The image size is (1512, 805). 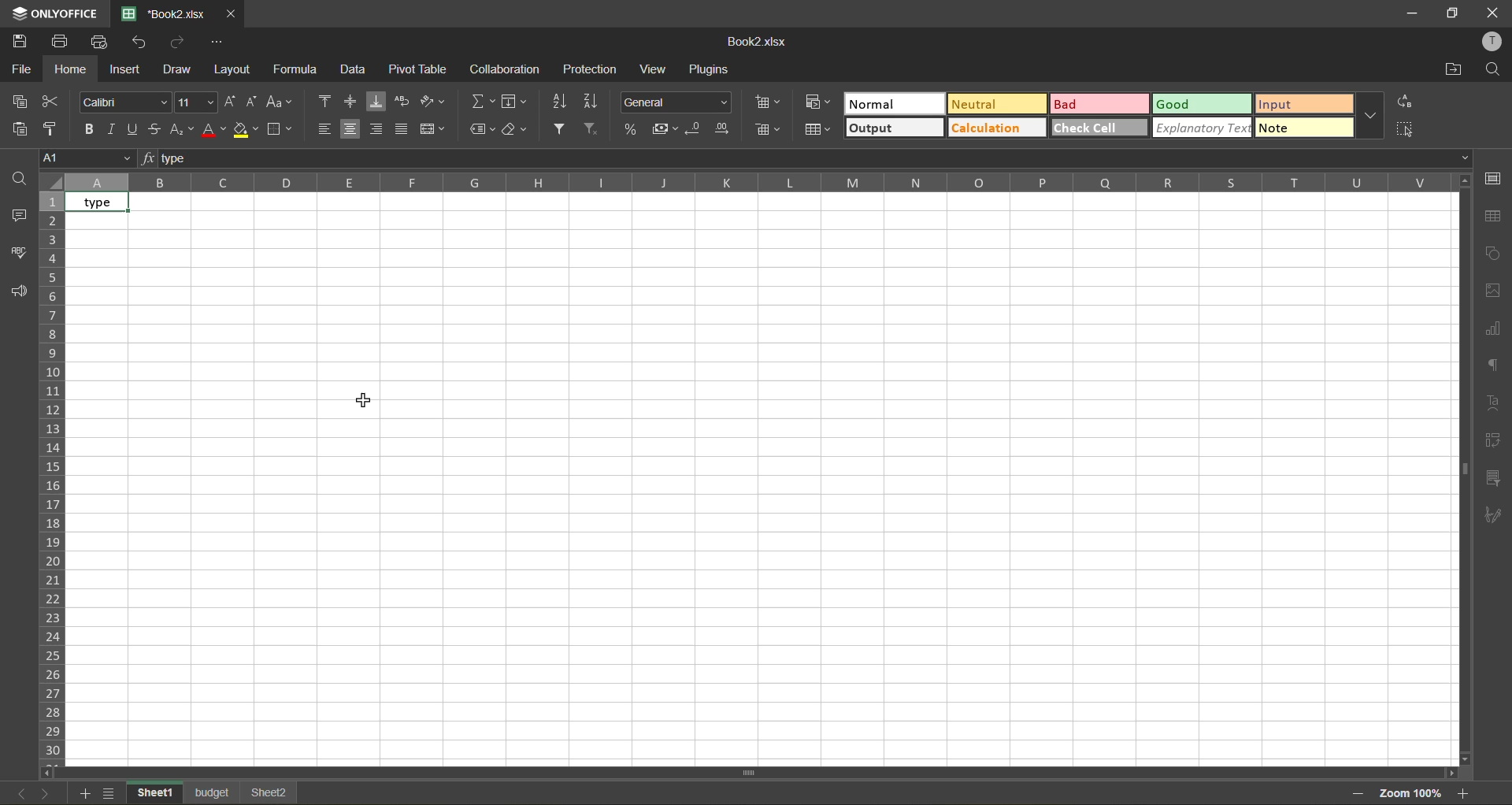 What do you see at coordinates (69, 71) in the screenshot?
I see `home` at bounding box center [69, 71].